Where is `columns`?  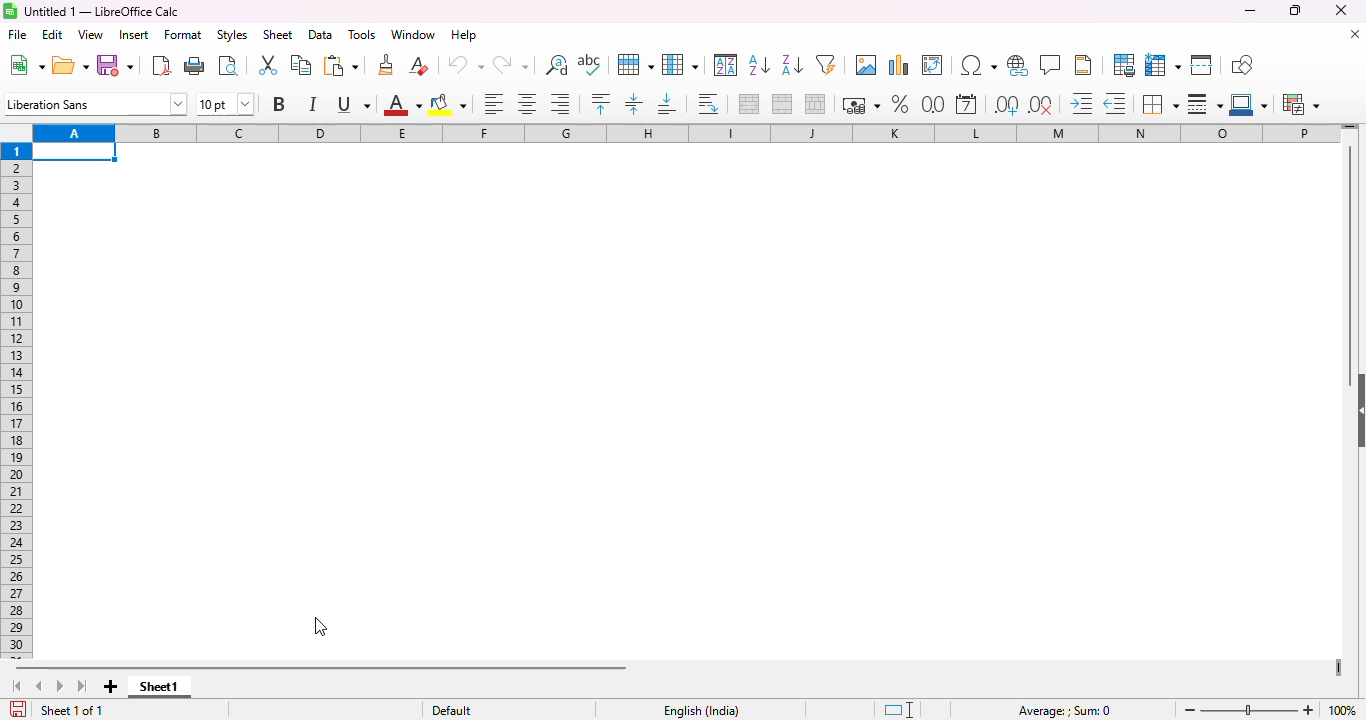
columns is located at coordinates (682, 133).